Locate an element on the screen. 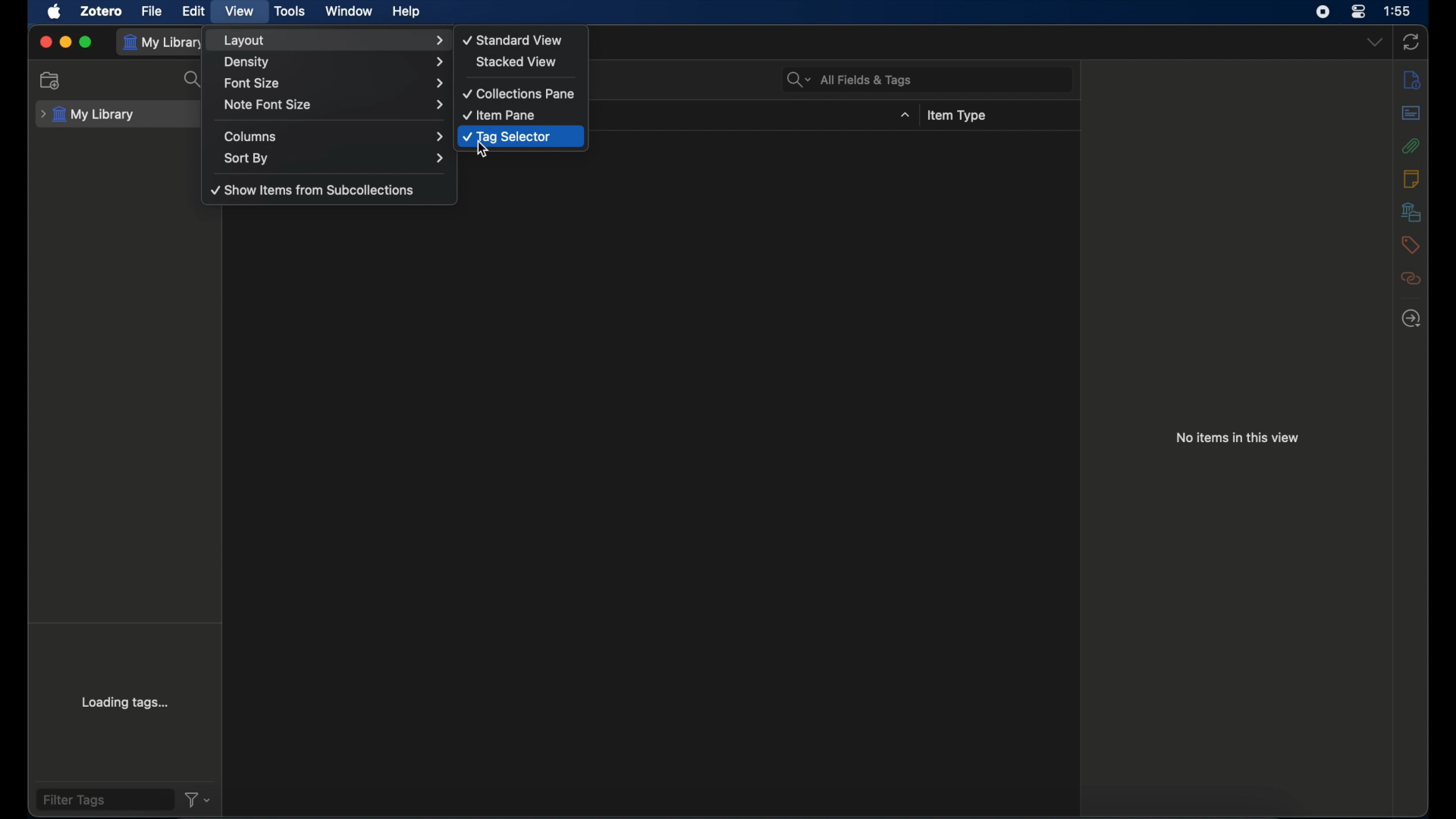  sync is located at coordinates (1411, 41).